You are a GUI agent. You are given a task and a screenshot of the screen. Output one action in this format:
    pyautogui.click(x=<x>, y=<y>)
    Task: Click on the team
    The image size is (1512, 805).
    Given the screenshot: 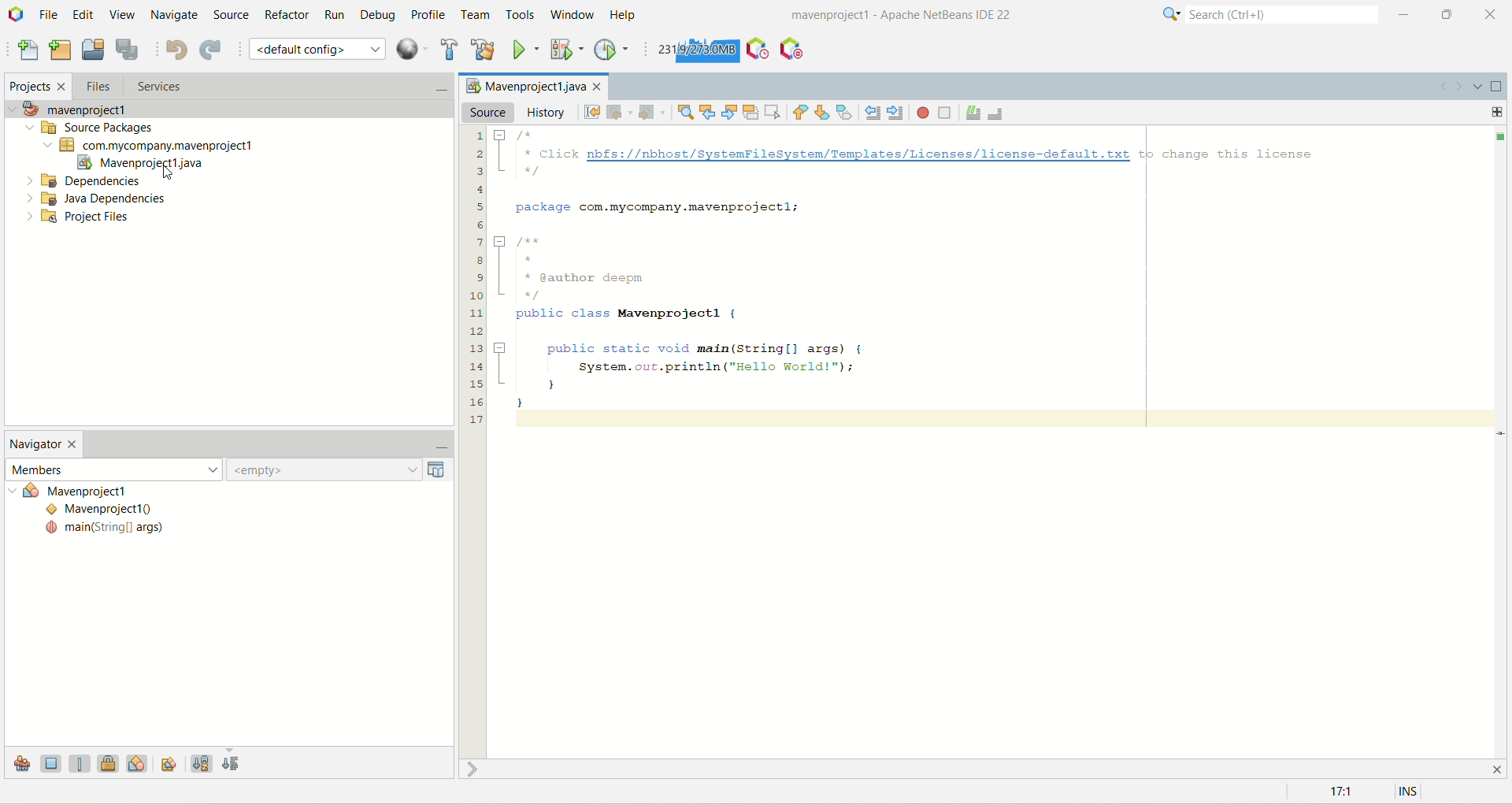 What is the action you would take?
    pyautogui.click(x=476, y=16)
    